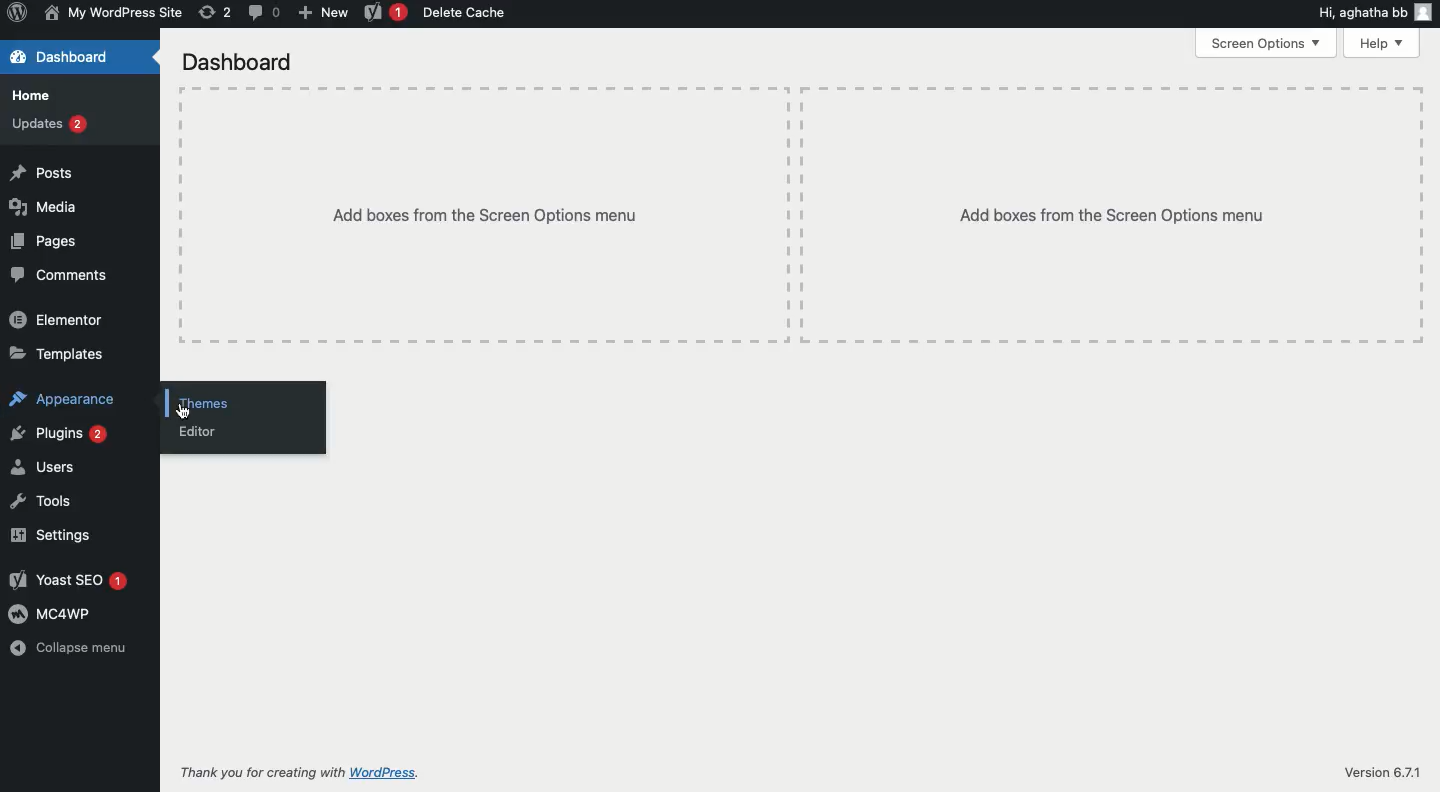 Image resolution: width=1440 pixels, height=792 pixels. I want to click on Posts, so click(43, 172).